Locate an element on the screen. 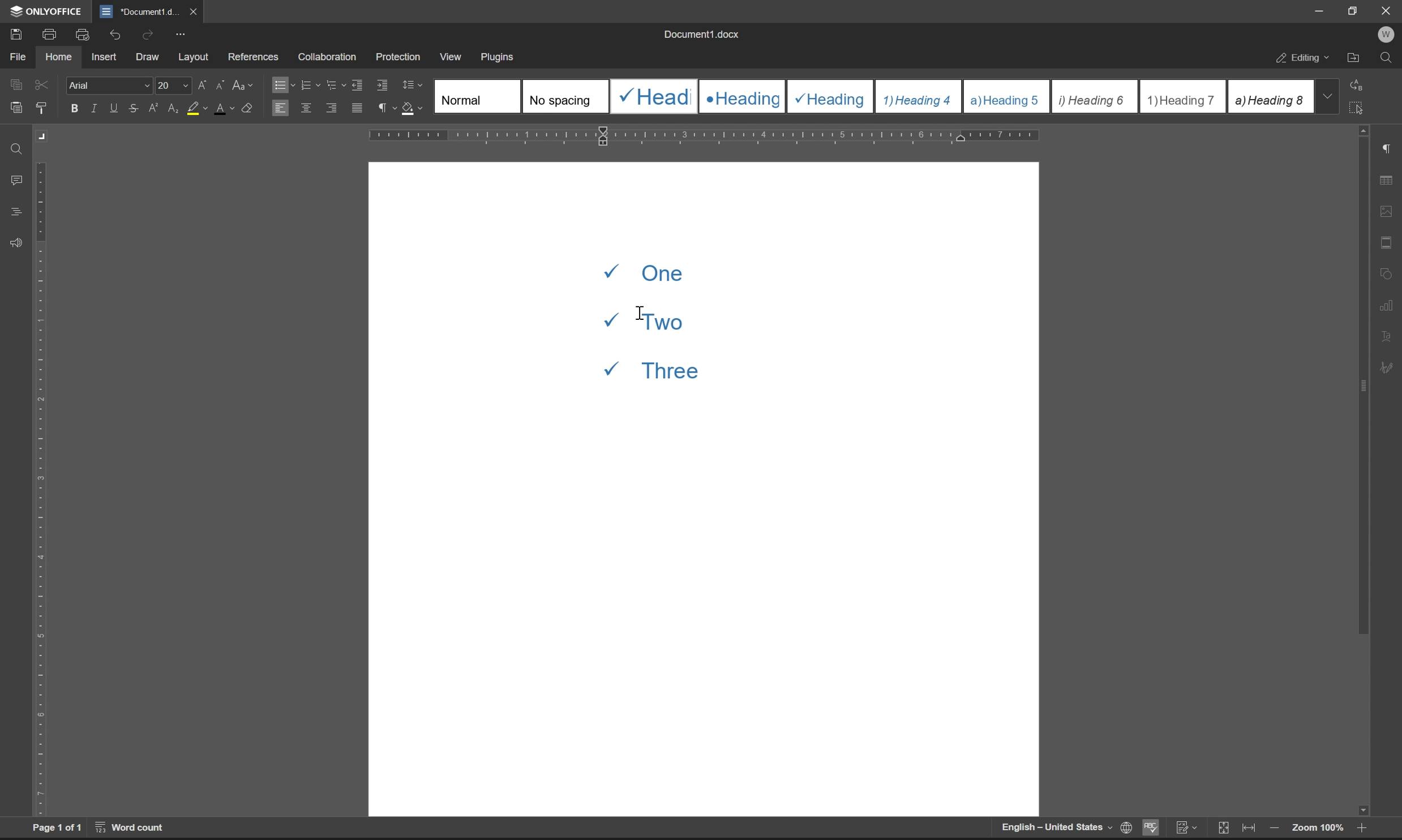 The width and height of the screenshot is (1402, 840). numbering is located at coordinates (310, 85).